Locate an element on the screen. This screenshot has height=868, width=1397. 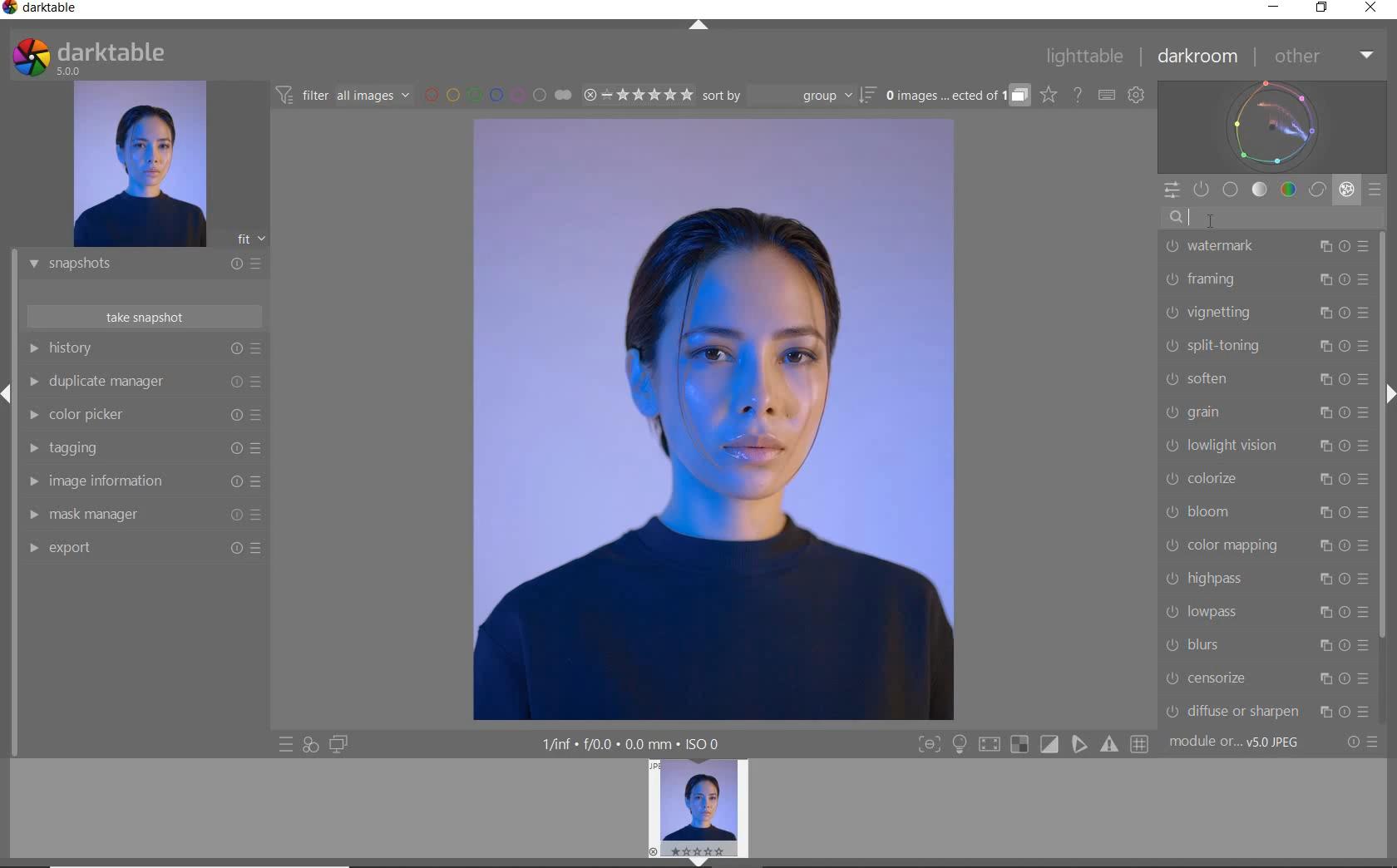
SET KEYBOARD SHORTCUTS is located at coordinates (1107, 95).